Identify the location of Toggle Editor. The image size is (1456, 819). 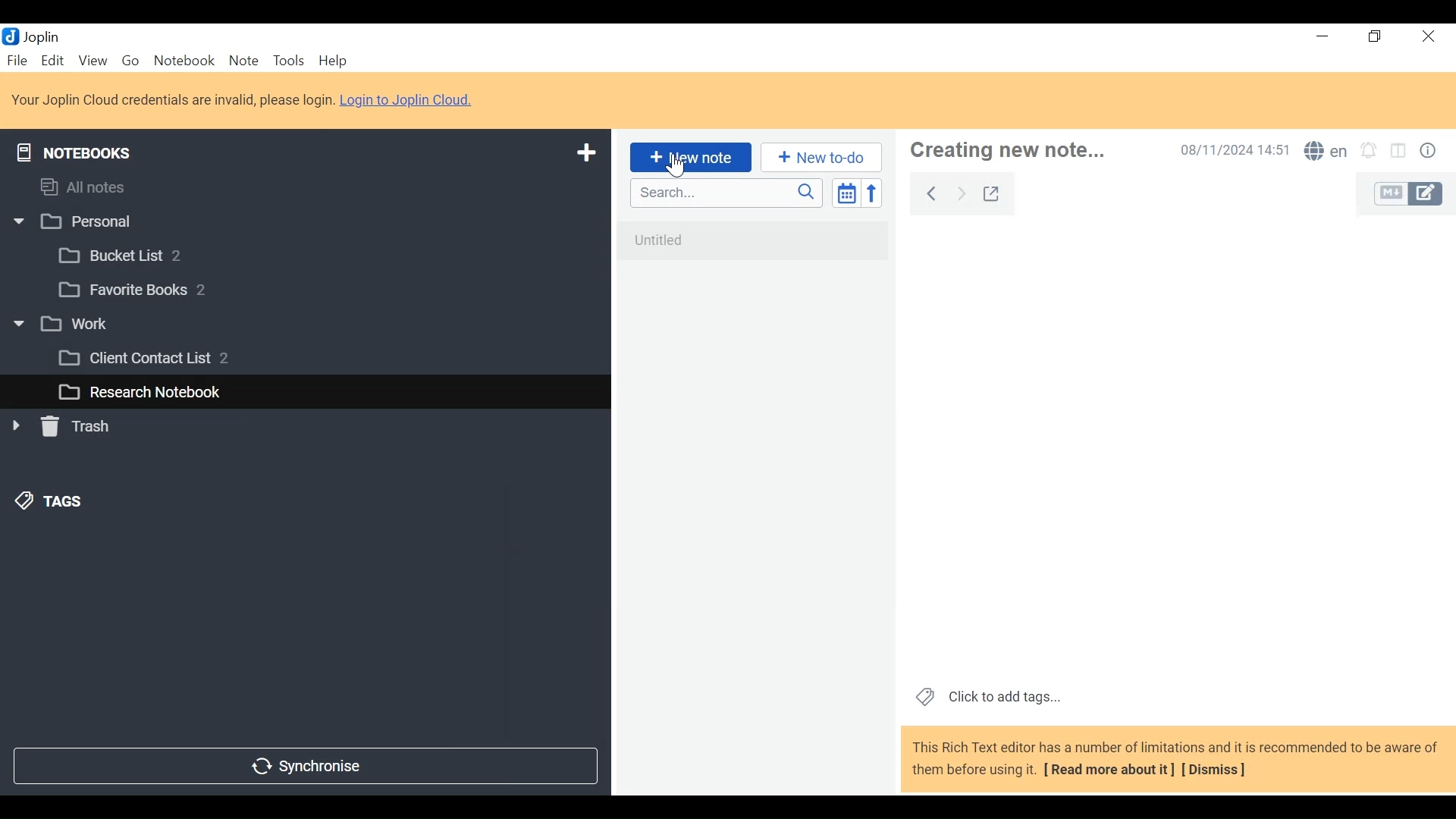
(1410, 194).